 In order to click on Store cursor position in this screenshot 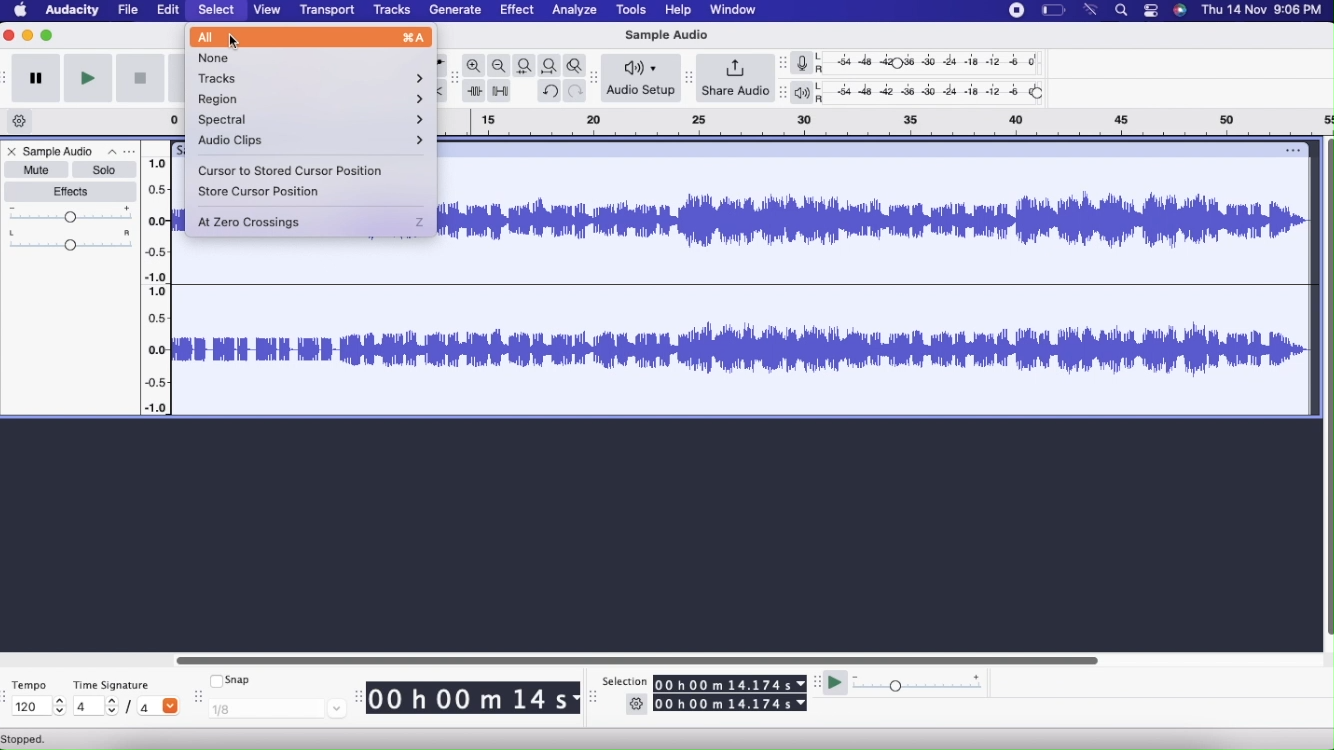, I will do `click(260, 193)`.